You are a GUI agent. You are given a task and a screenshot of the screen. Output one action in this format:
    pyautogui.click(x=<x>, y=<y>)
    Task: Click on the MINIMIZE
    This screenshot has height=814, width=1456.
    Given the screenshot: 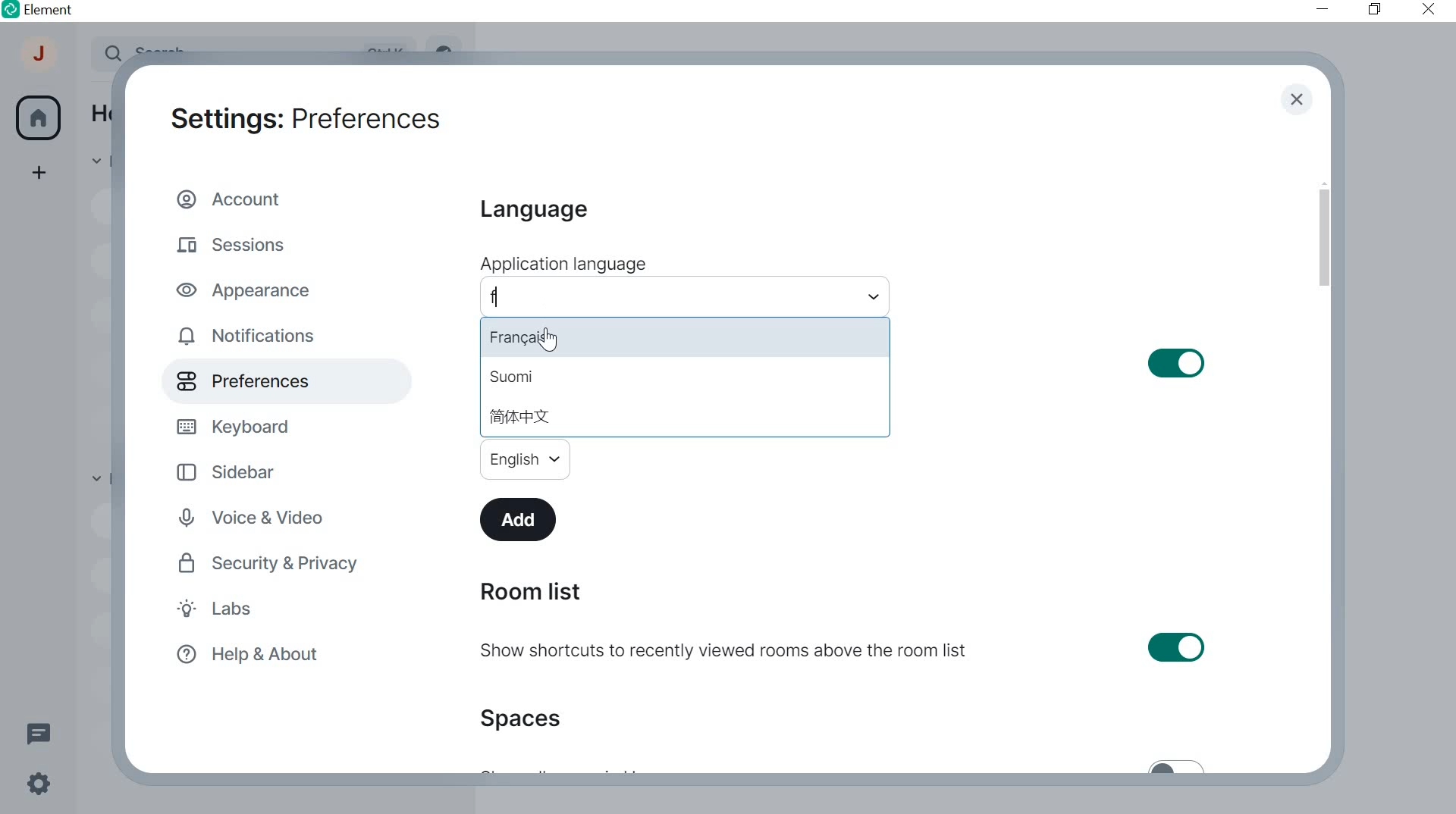 What is the action you would take?
    pyautogui.click(x=1324, y=9)
    